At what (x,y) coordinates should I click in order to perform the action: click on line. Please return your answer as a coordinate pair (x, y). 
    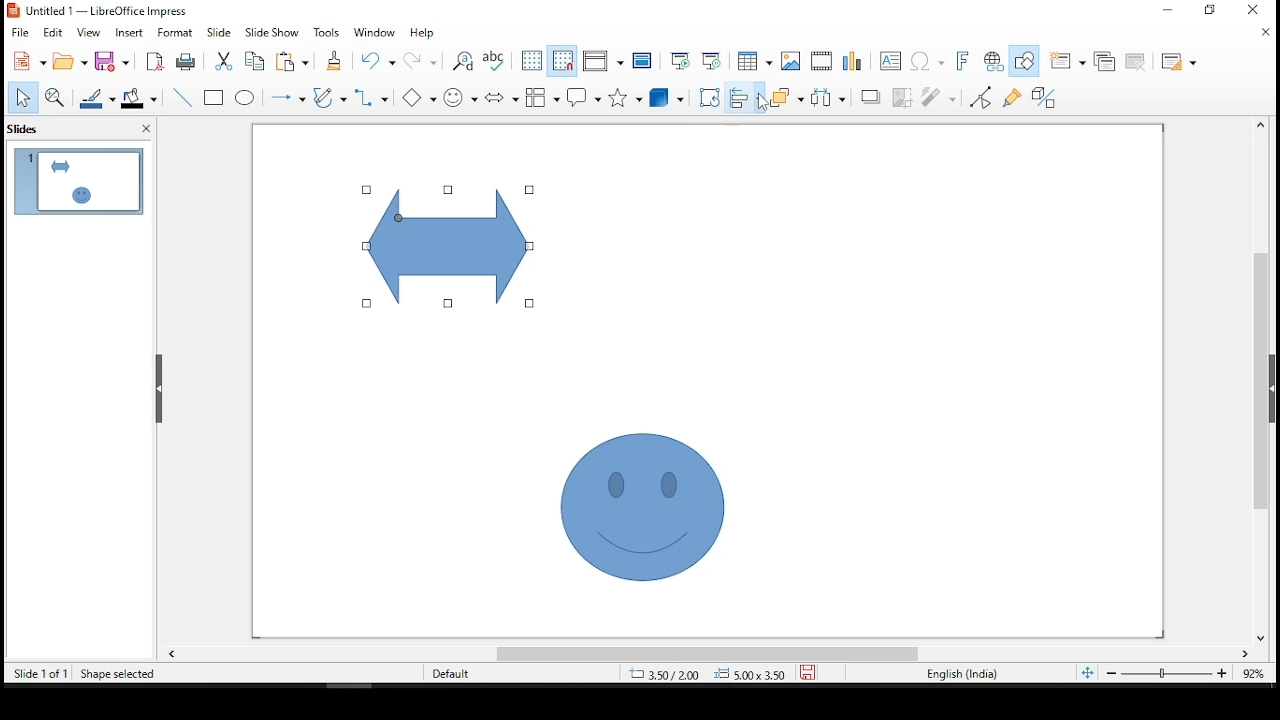
    Looking at the image, I should click on (182, 98).